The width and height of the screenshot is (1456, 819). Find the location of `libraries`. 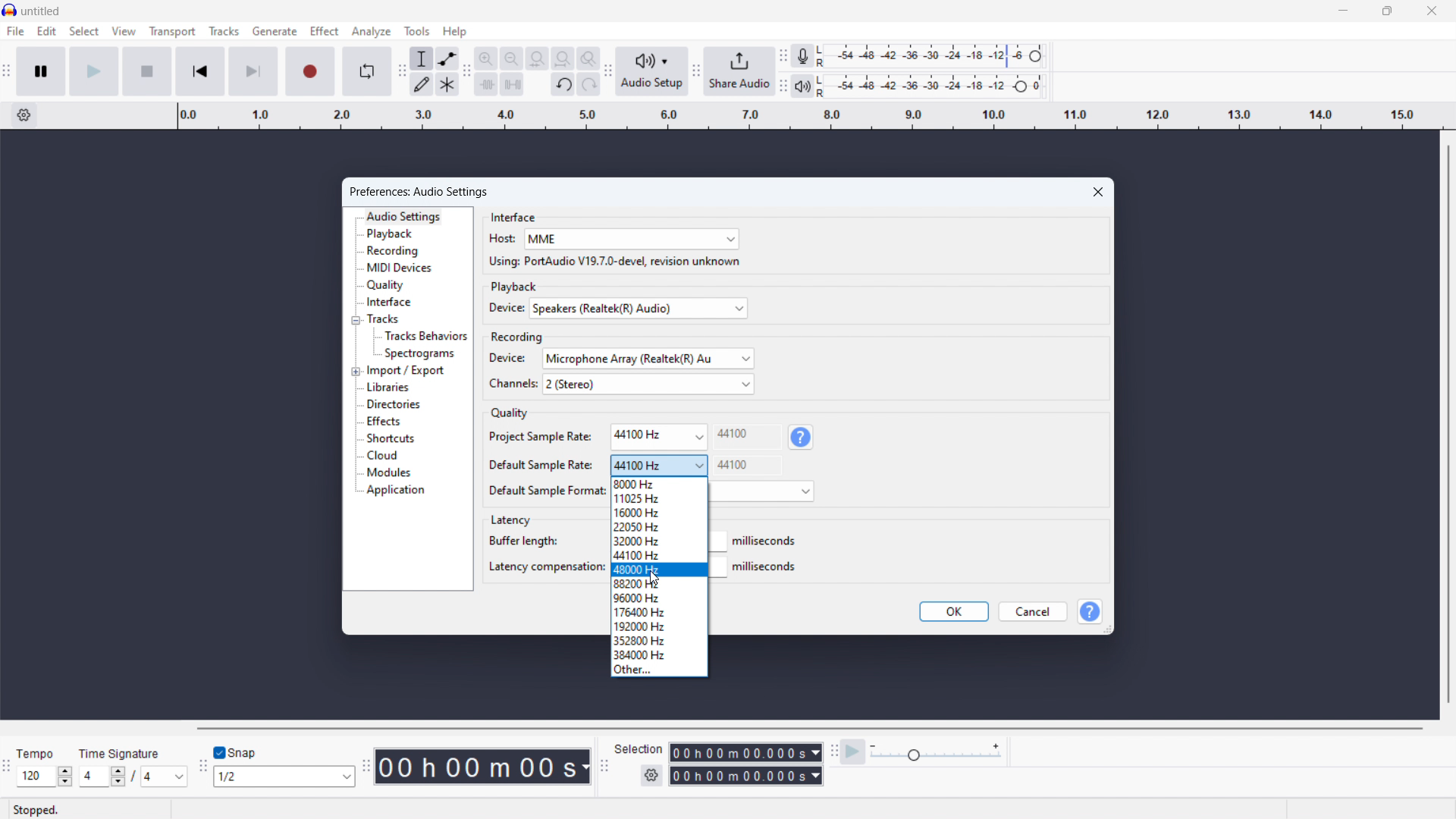

libraries is located at coordinates (390, 387).